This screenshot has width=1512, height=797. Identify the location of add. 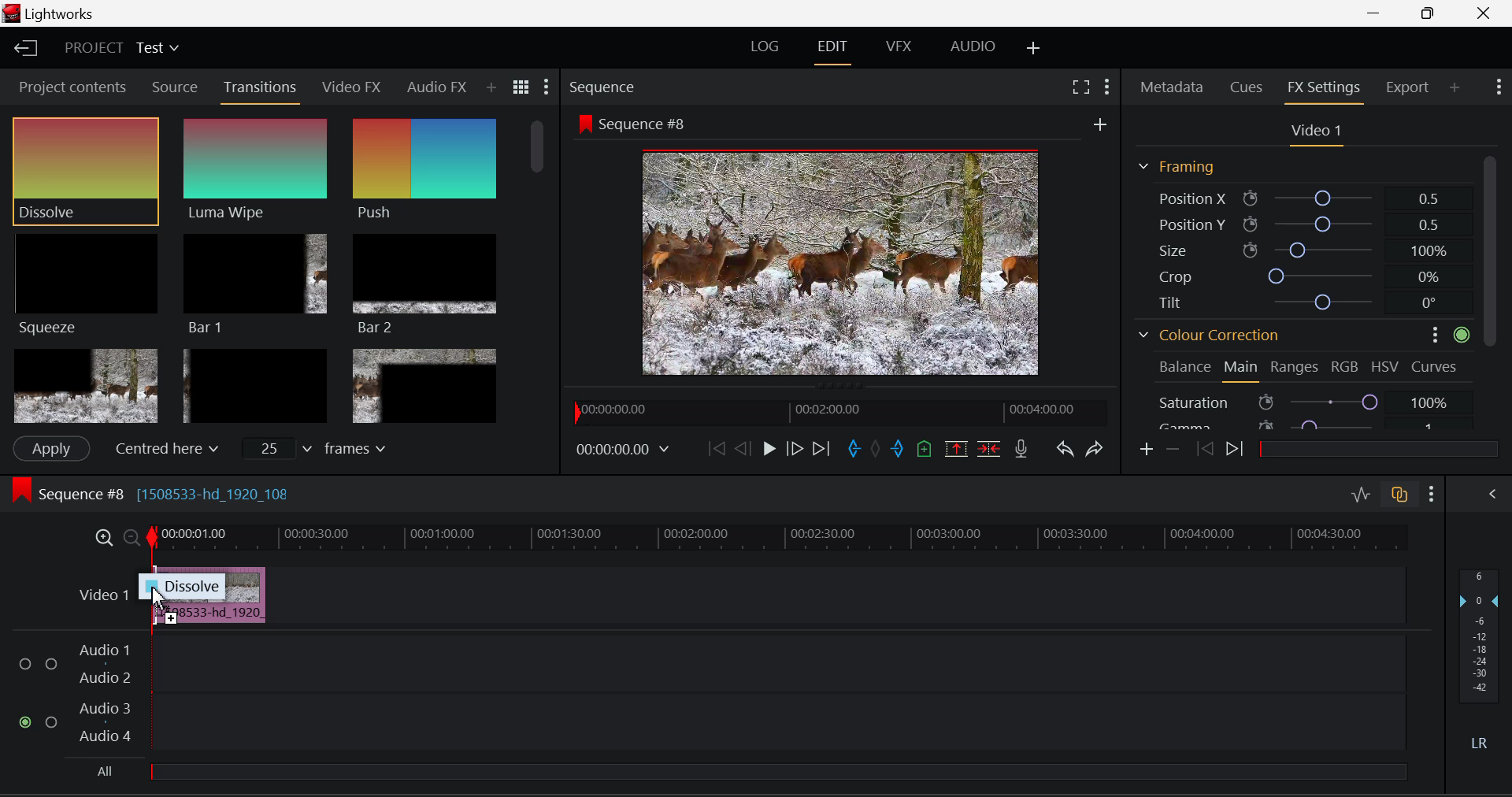
(1100, 121).